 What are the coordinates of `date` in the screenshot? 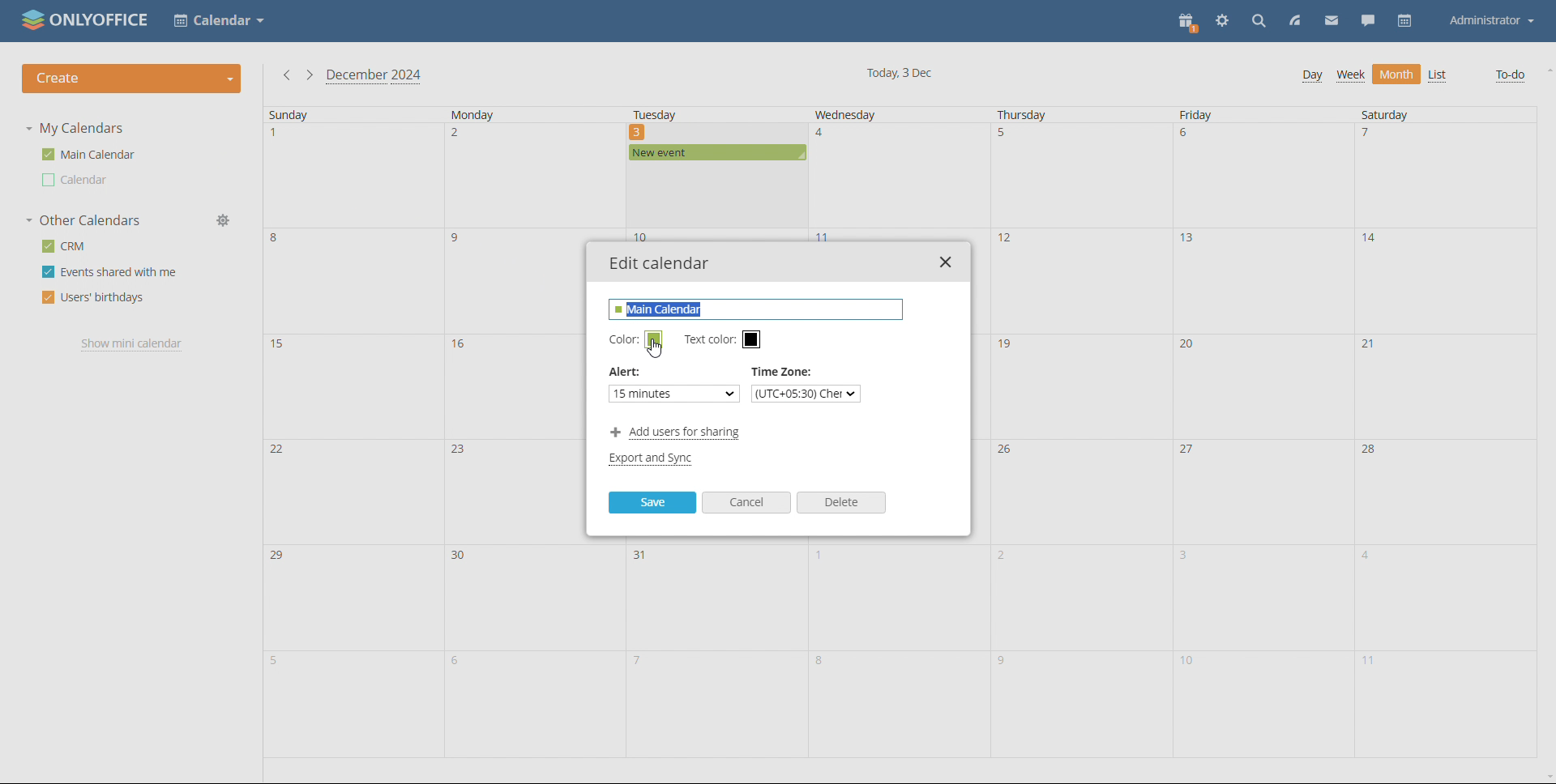 It's located at (1445, 386).